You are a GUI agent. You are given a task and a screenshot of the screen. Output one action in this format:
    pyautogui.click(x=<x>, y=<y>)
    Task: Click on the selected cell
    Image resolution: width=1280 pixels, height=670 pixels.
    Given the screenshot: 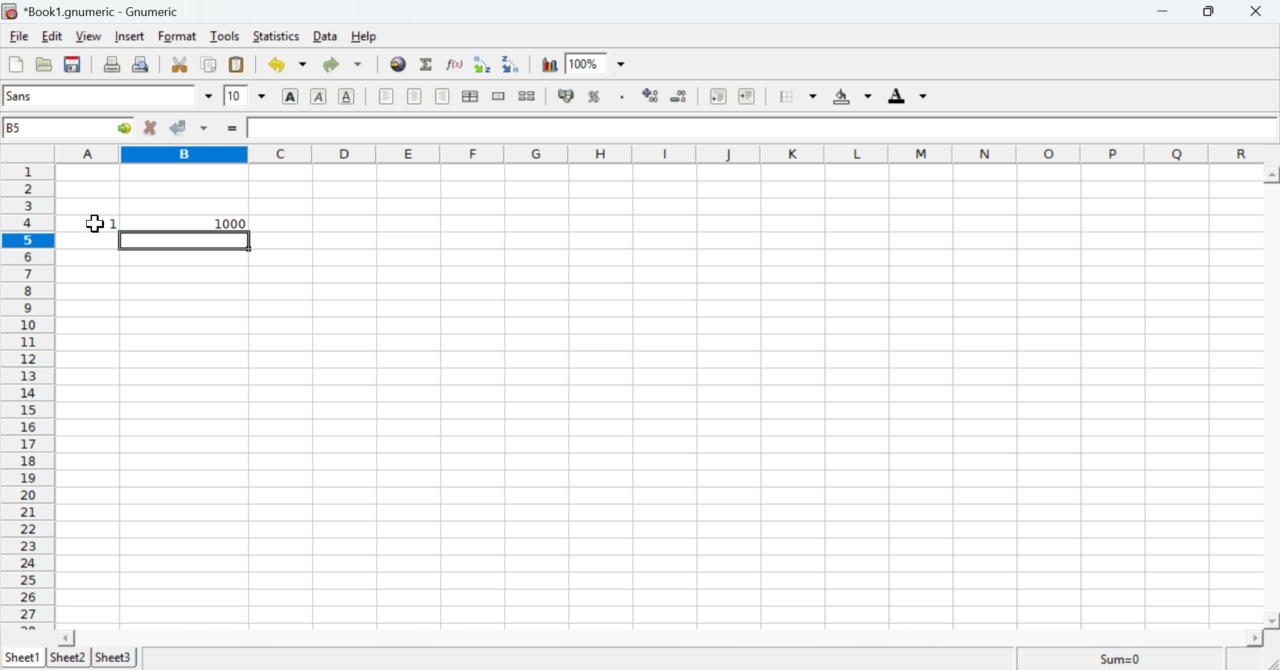 What is the action you would take?
    pyautogui.click(x=185, y=241)
    